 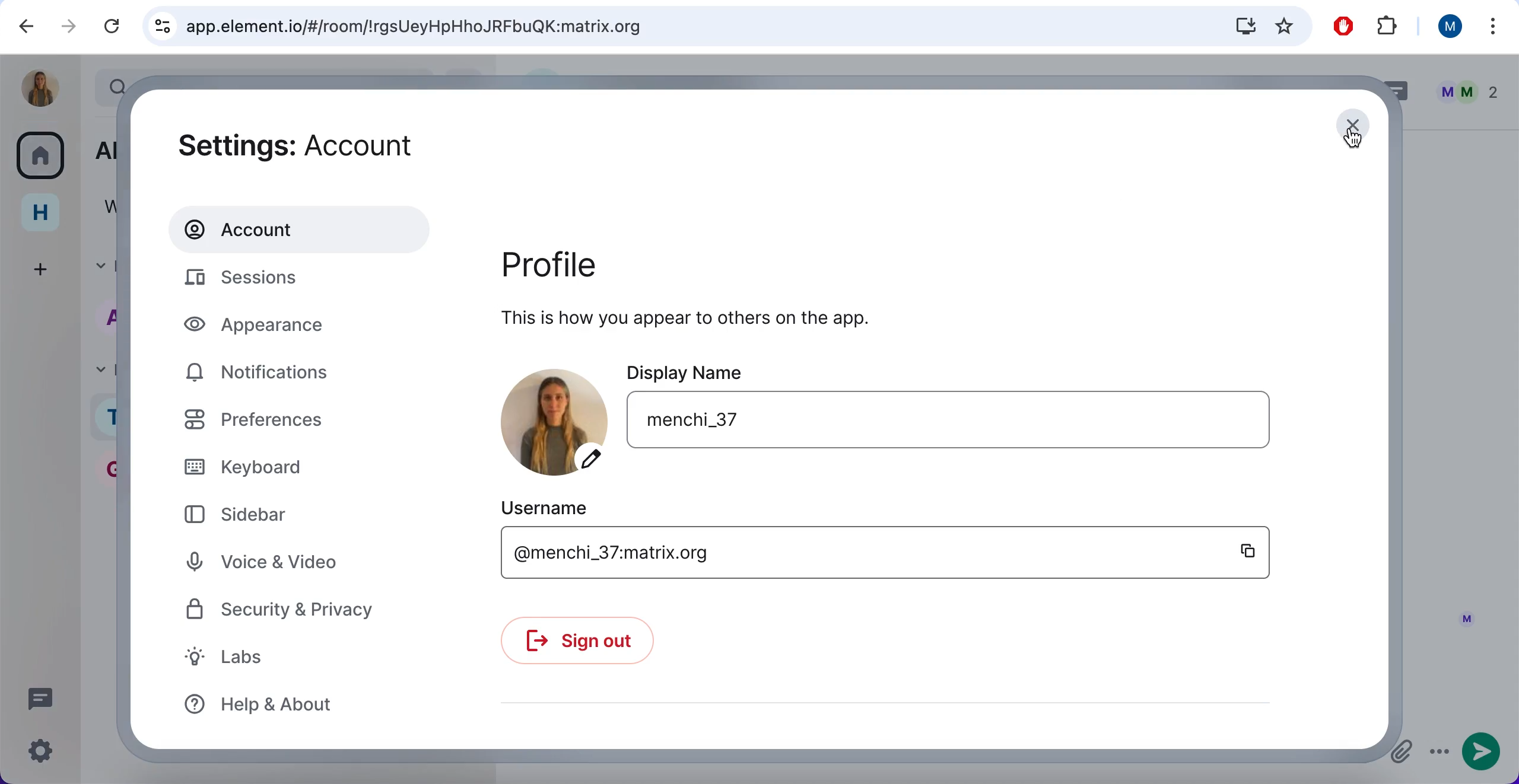 I want to click on options, so click(x=1438, y=755).